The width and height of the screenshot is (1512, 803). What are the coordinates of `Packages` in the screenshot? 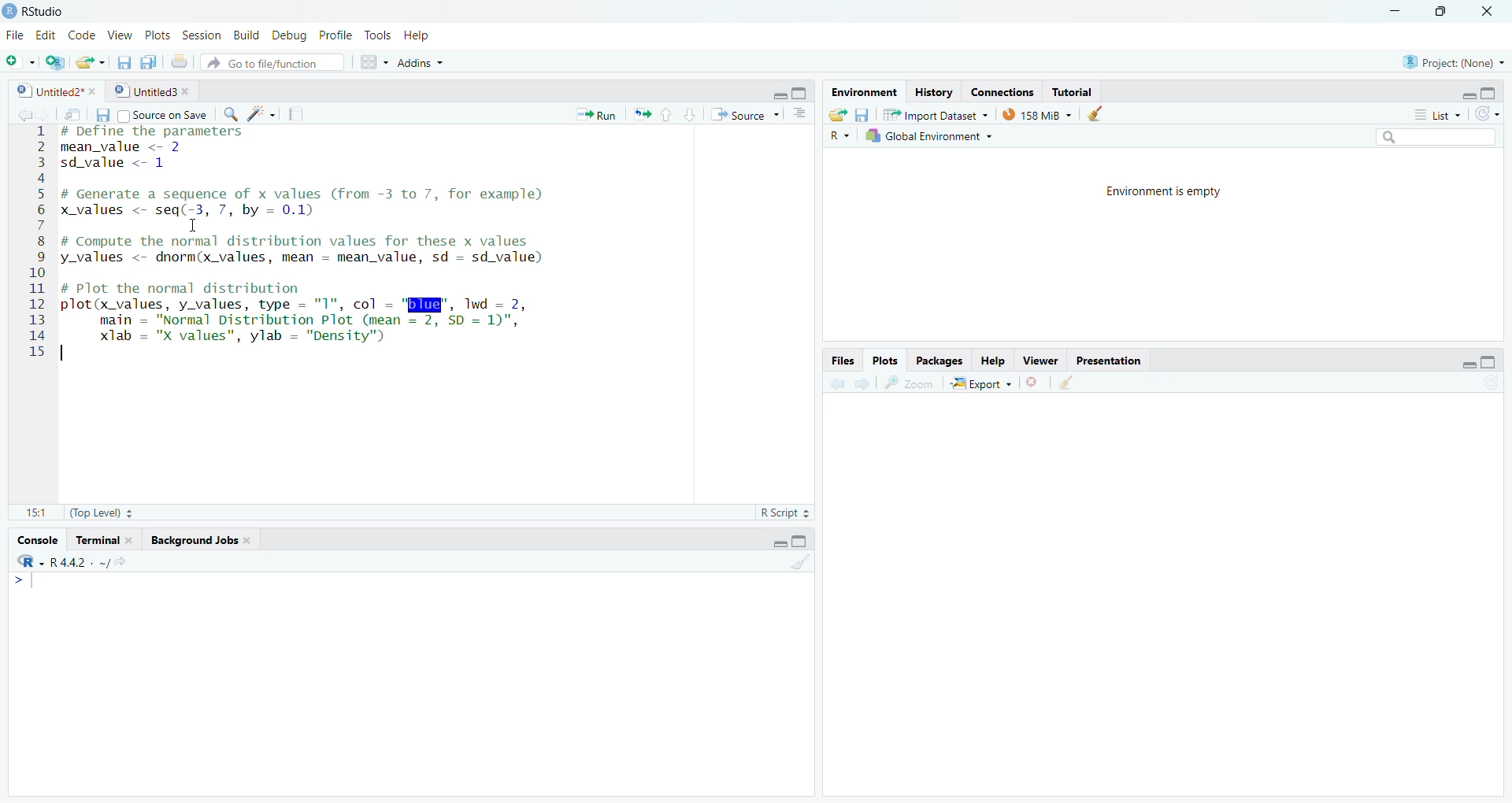 It's located at (937, 360).